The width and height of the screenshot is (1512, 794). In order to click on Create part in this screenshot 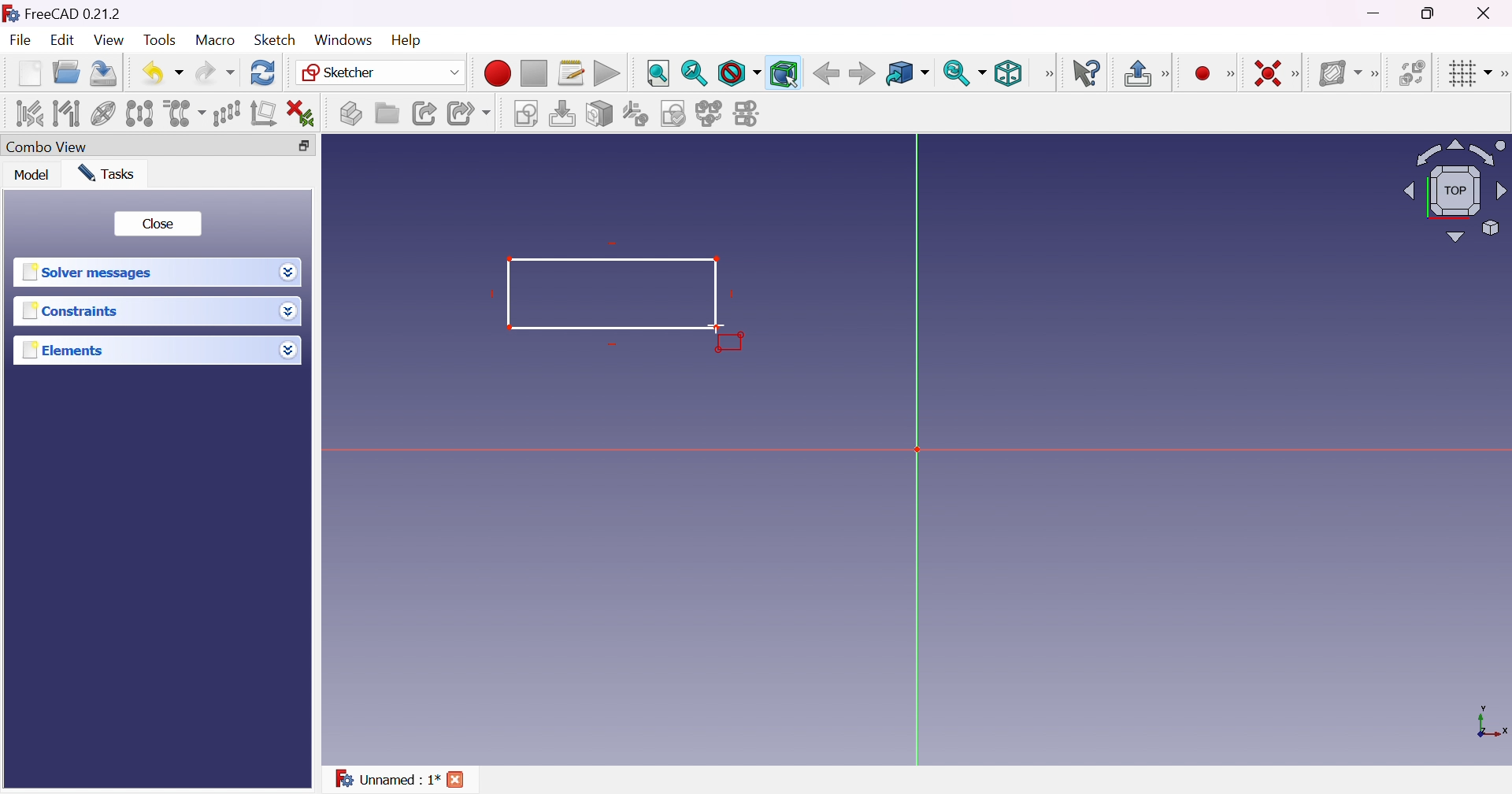, I will do `click(350, 112)`.